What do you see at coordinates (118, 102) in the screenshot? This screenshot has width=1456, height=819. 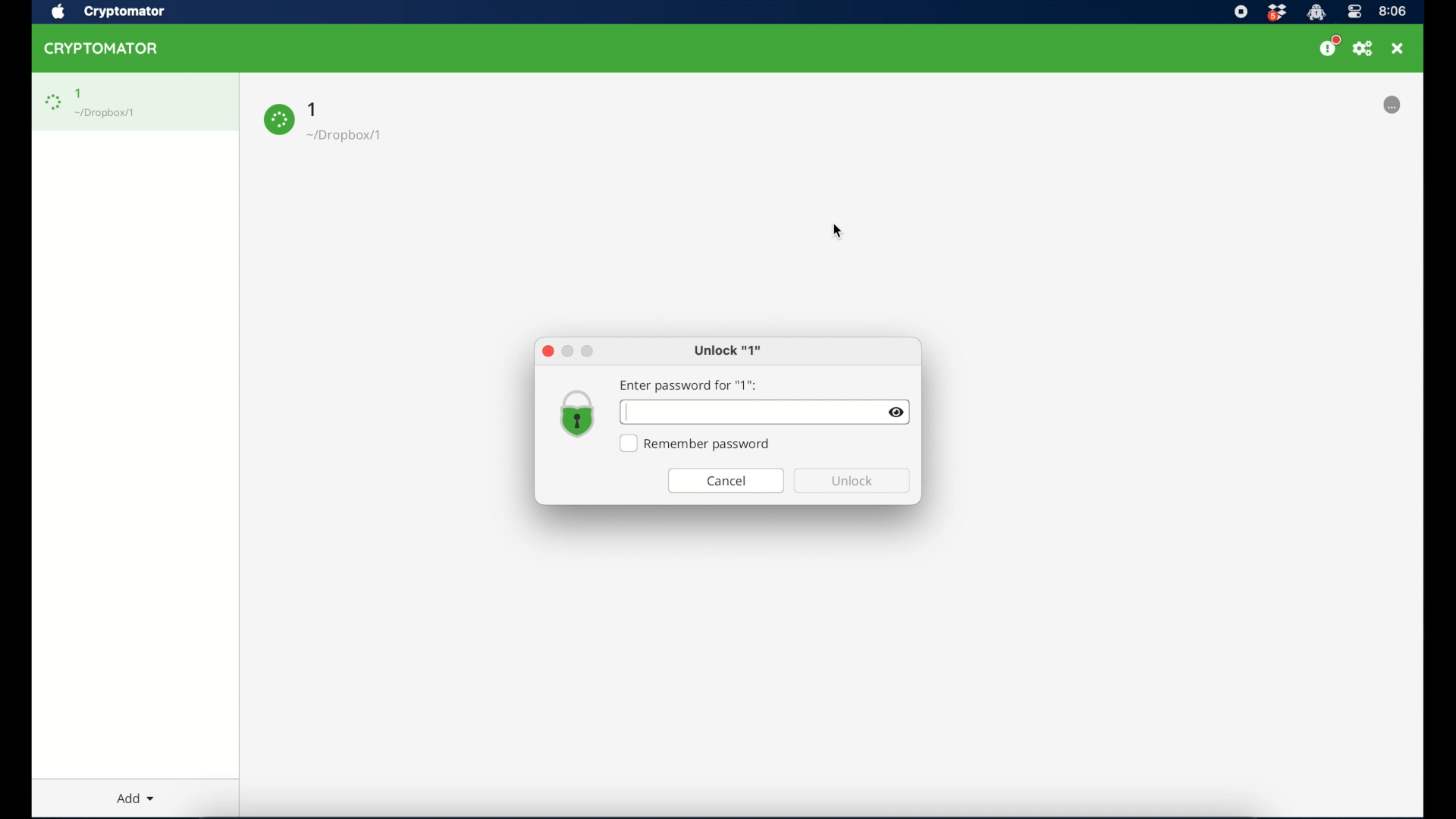 I see `1 Dropbox/1` at bounding box center [118, 102].